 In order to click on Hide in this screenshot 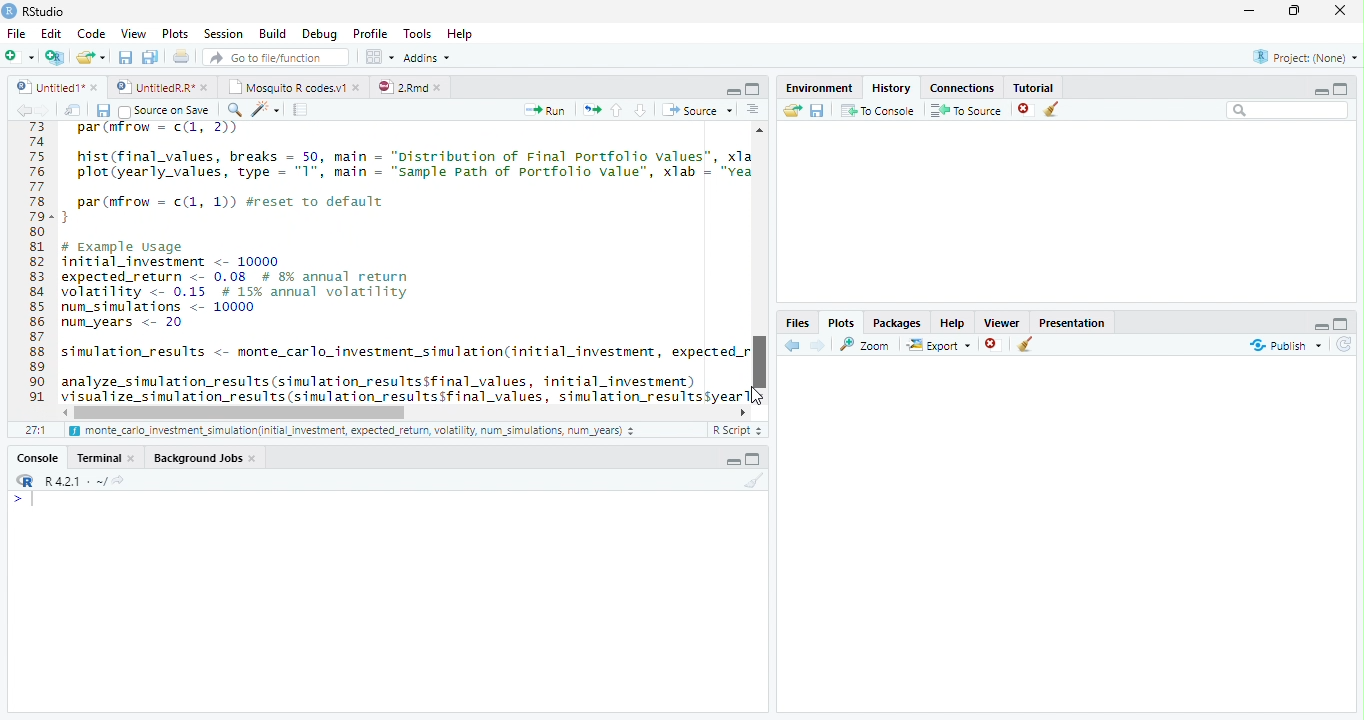, I will do `click(1319, 324)`.